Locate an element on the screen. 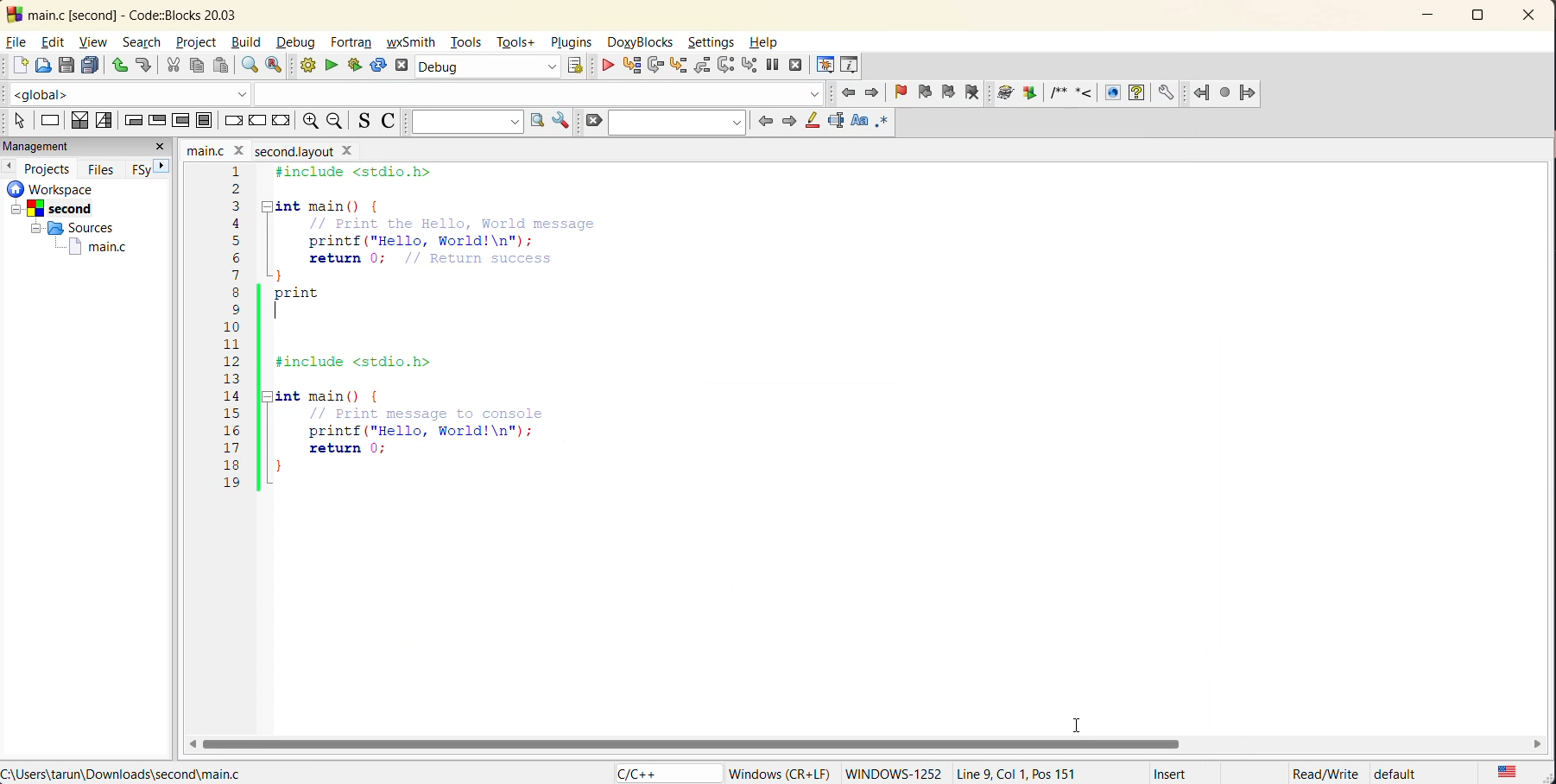 Image resolution: width=1556 pixels, height=784 pixels. close is located at coordinates (1534, 15).